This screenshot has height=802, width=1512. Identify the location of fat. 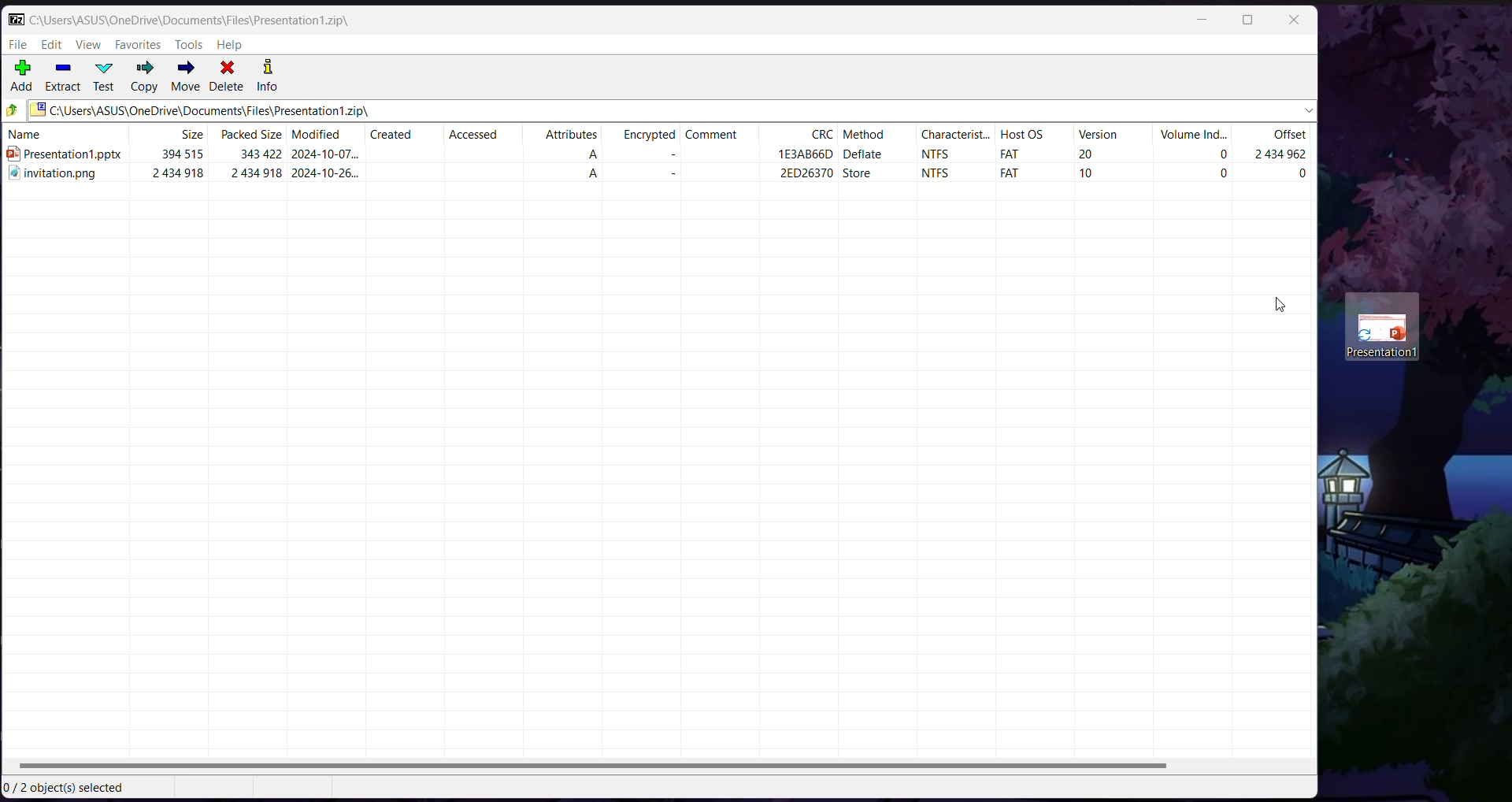
(1009, 153).